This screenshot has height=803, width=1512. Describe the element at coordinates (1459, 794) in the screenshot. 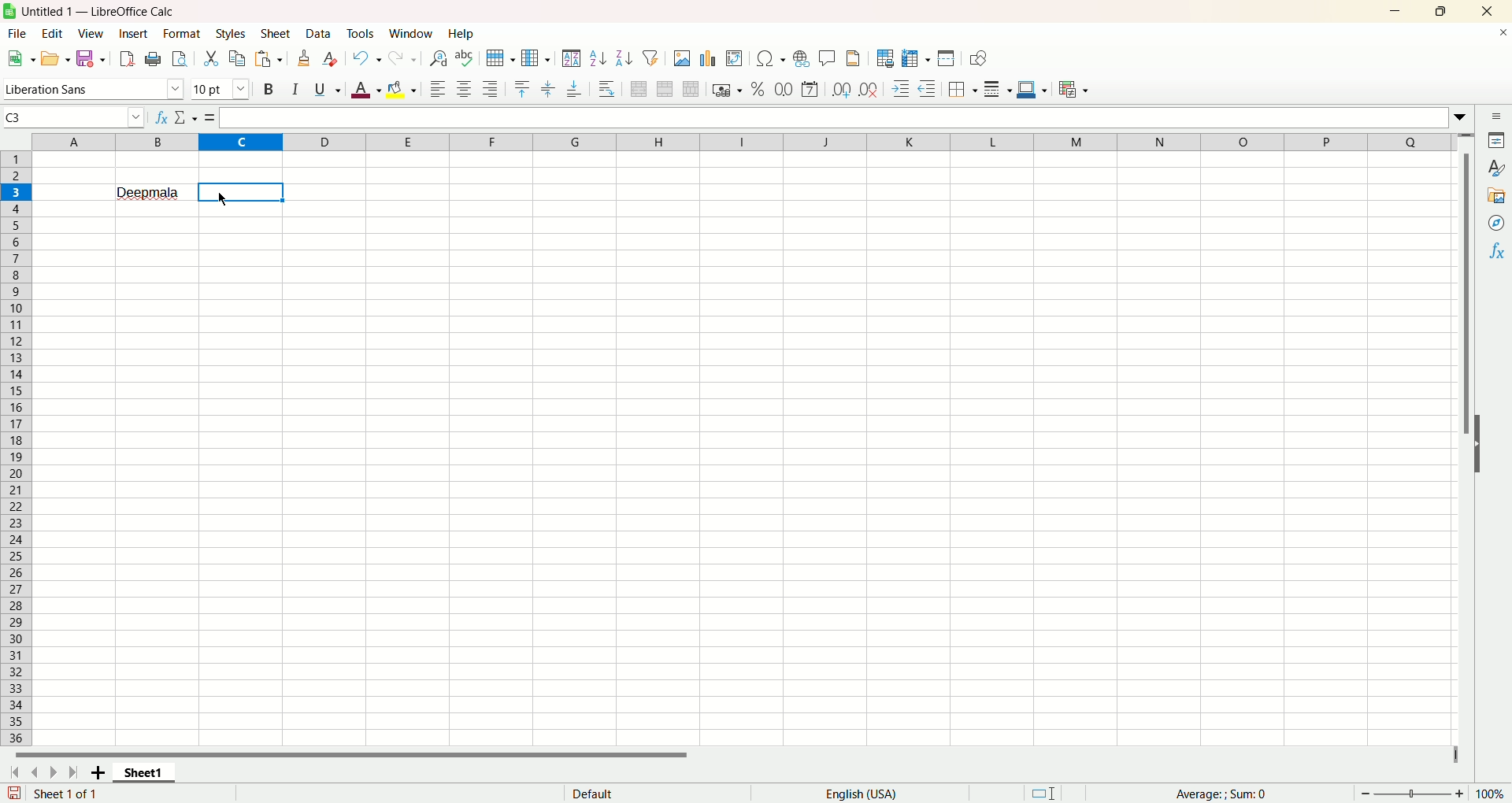

I see `Zoom in` at that location.